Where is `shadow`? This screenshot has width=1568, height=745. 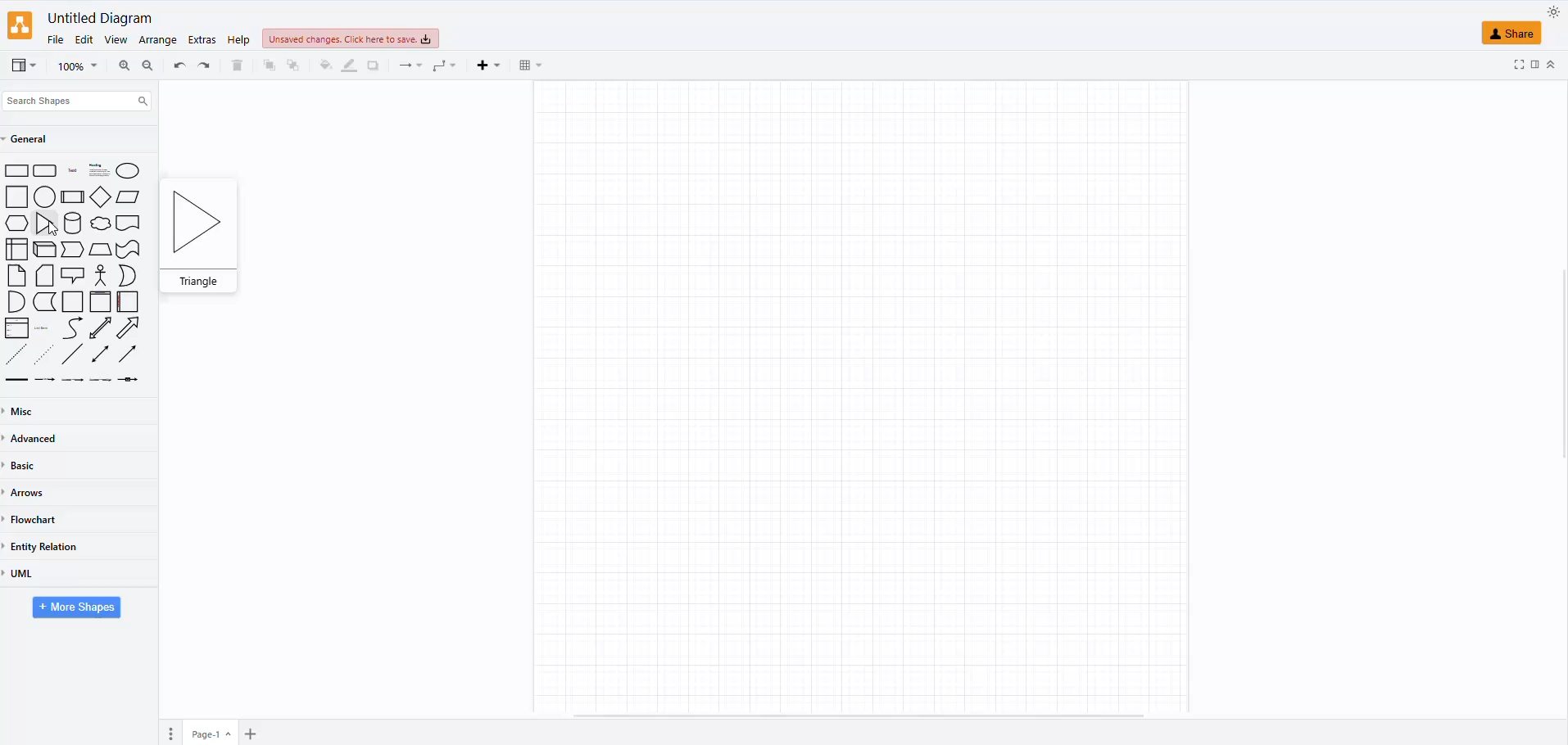
shadow is located at coordinates (372, 63).